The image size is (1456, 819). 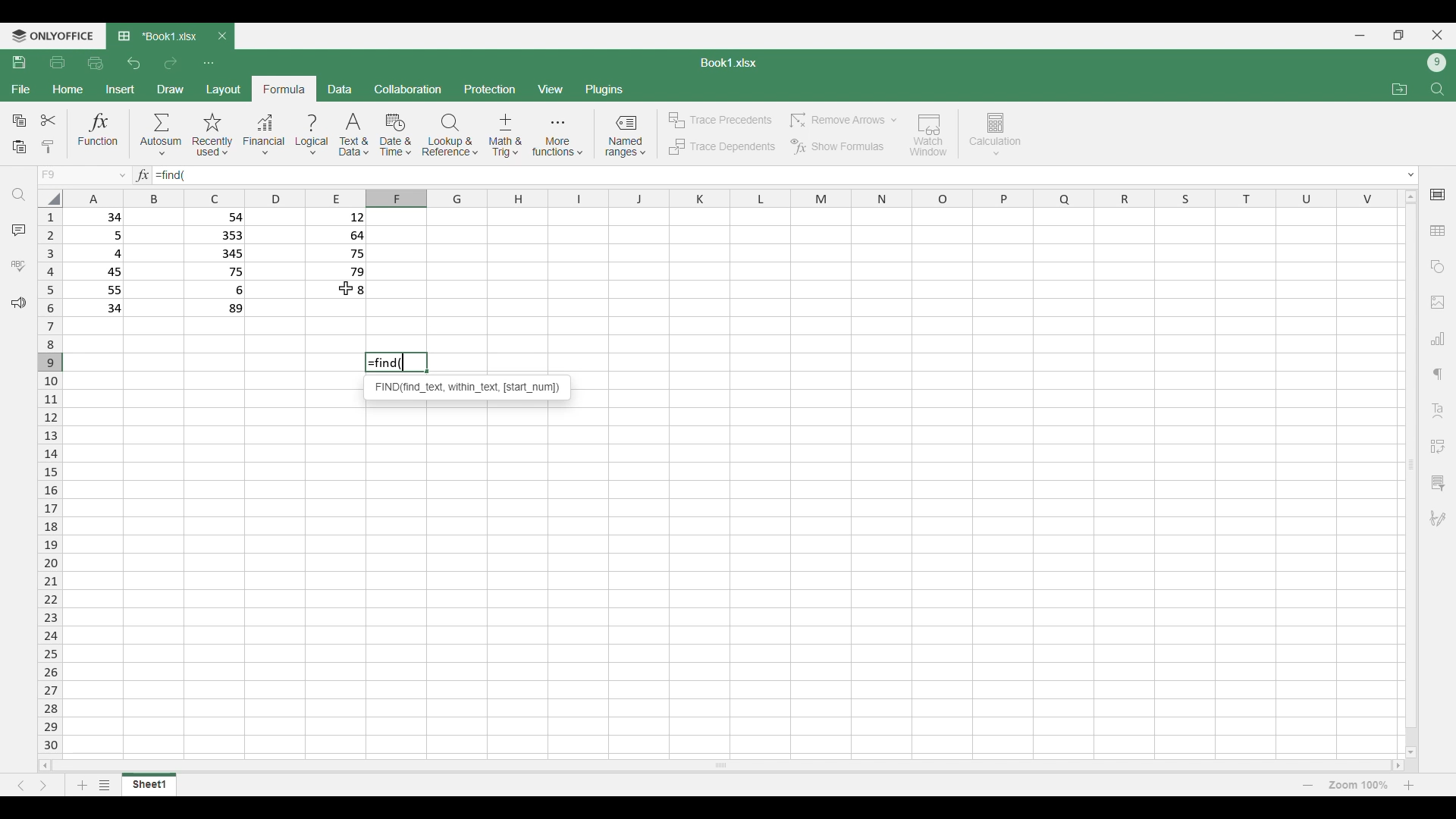 What do you see at coordinates (19, 231) in the screenshot?
I see `Comments` at bounding box center [19, 231].